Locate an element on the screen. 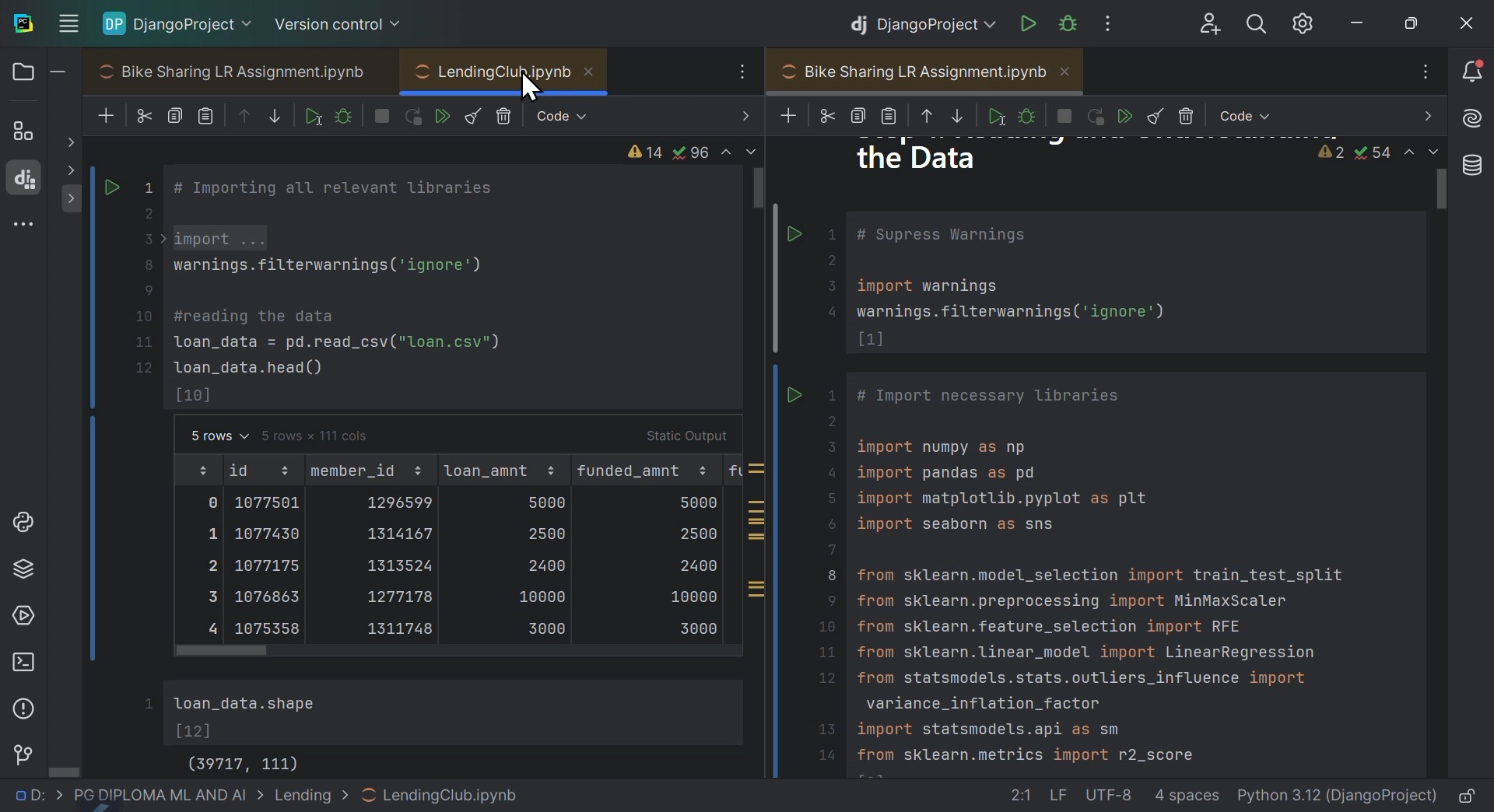 The height and width of the screenshot is (812, 1494). run cell and select below is located at coordinates (312, 115).